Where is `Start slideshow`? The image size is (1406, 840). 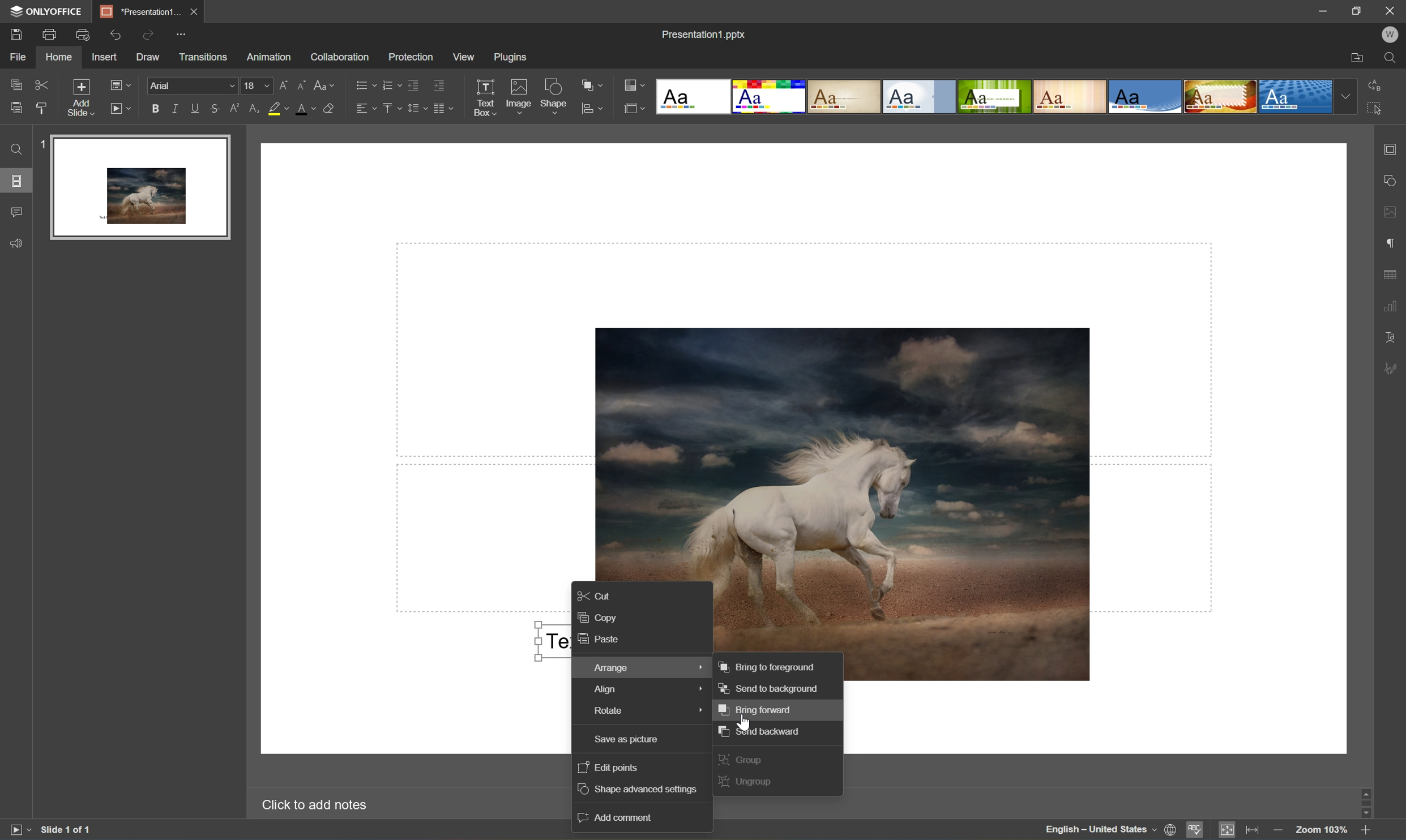
Start slideshow is located at coordinates (119, 109).